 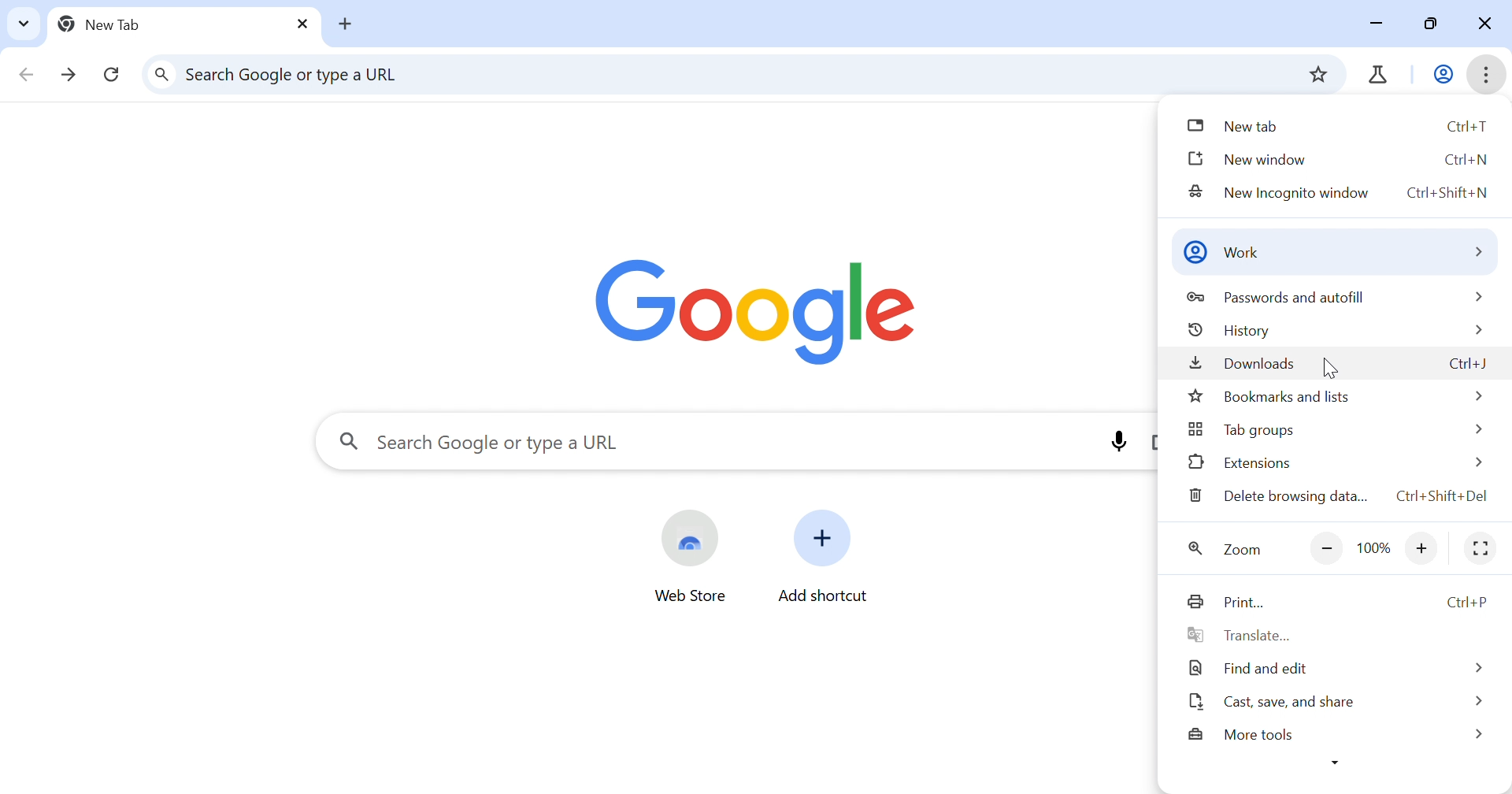 What do you see at coordinates (1468, 127) in the screenshot?
I see `Ctrl+T` at bounding box center [1468, 127].